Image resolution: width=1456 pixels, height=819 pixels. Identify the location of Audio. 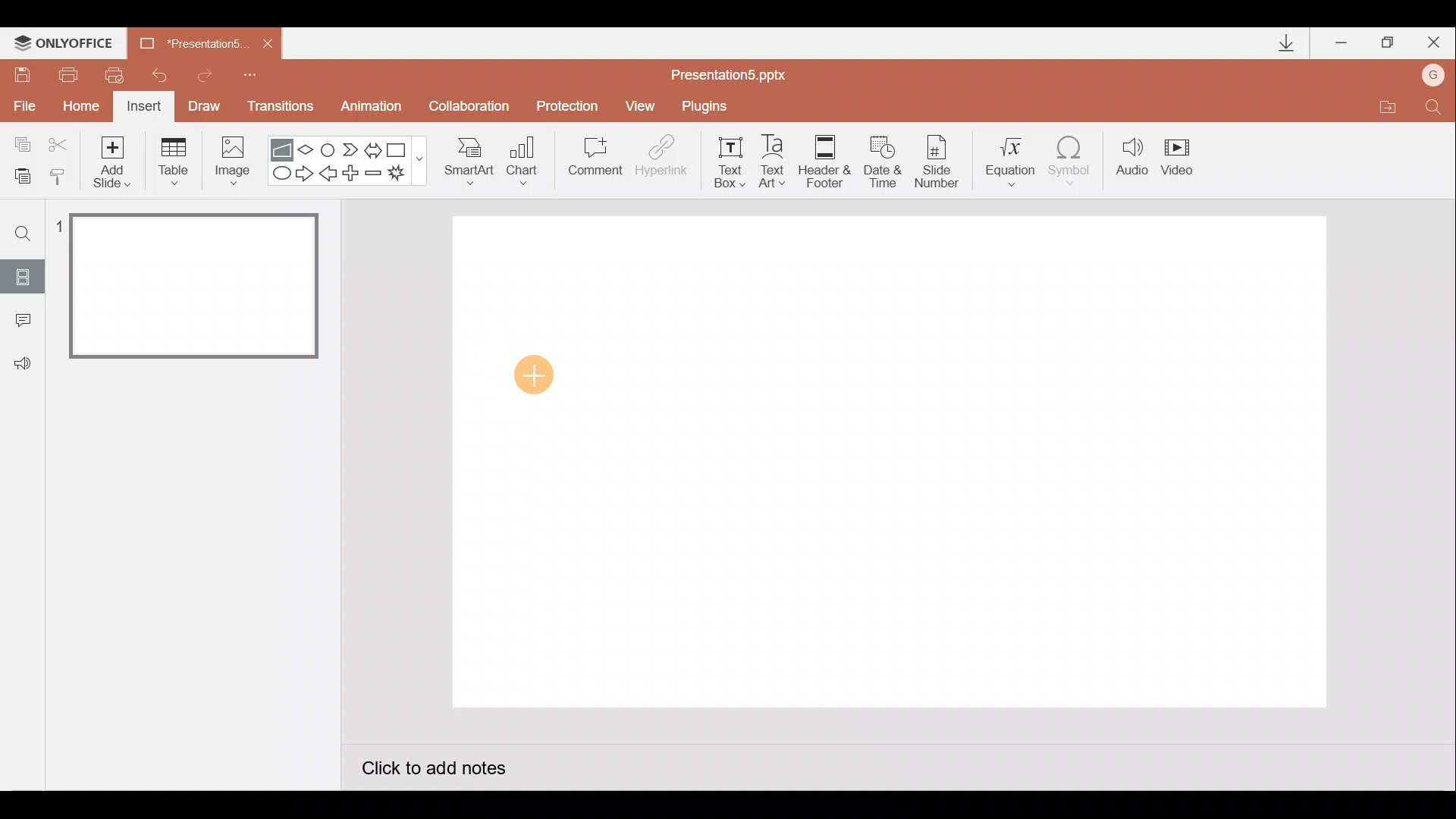
(1133, 160).